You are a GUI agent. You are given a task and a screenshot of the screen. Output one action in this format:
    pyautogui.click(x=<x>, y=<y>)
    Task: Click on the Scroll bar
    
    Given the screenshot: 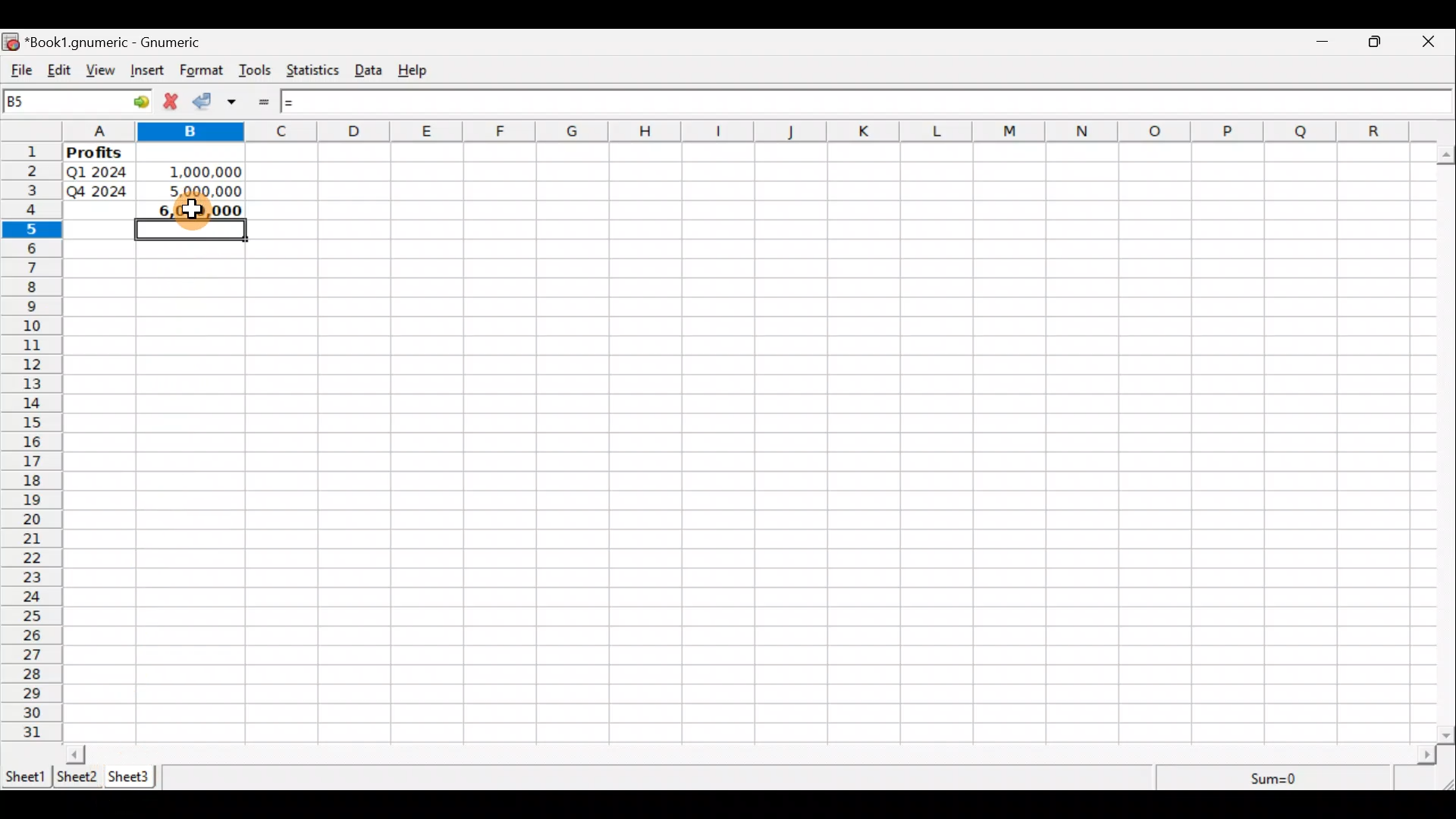 What is the action you would take?
    pyautogui.click(x=752, y=754)
    